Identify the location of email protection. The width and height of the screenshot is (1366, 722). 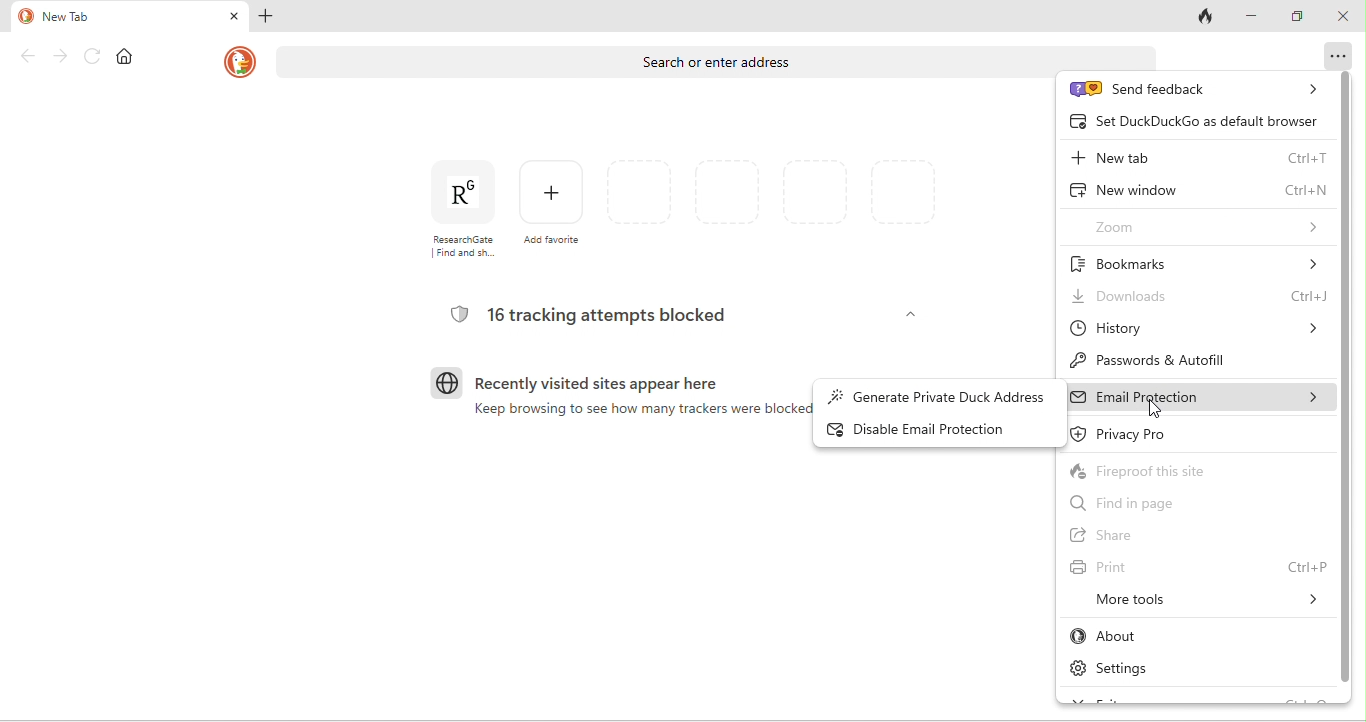
(1200, 398).